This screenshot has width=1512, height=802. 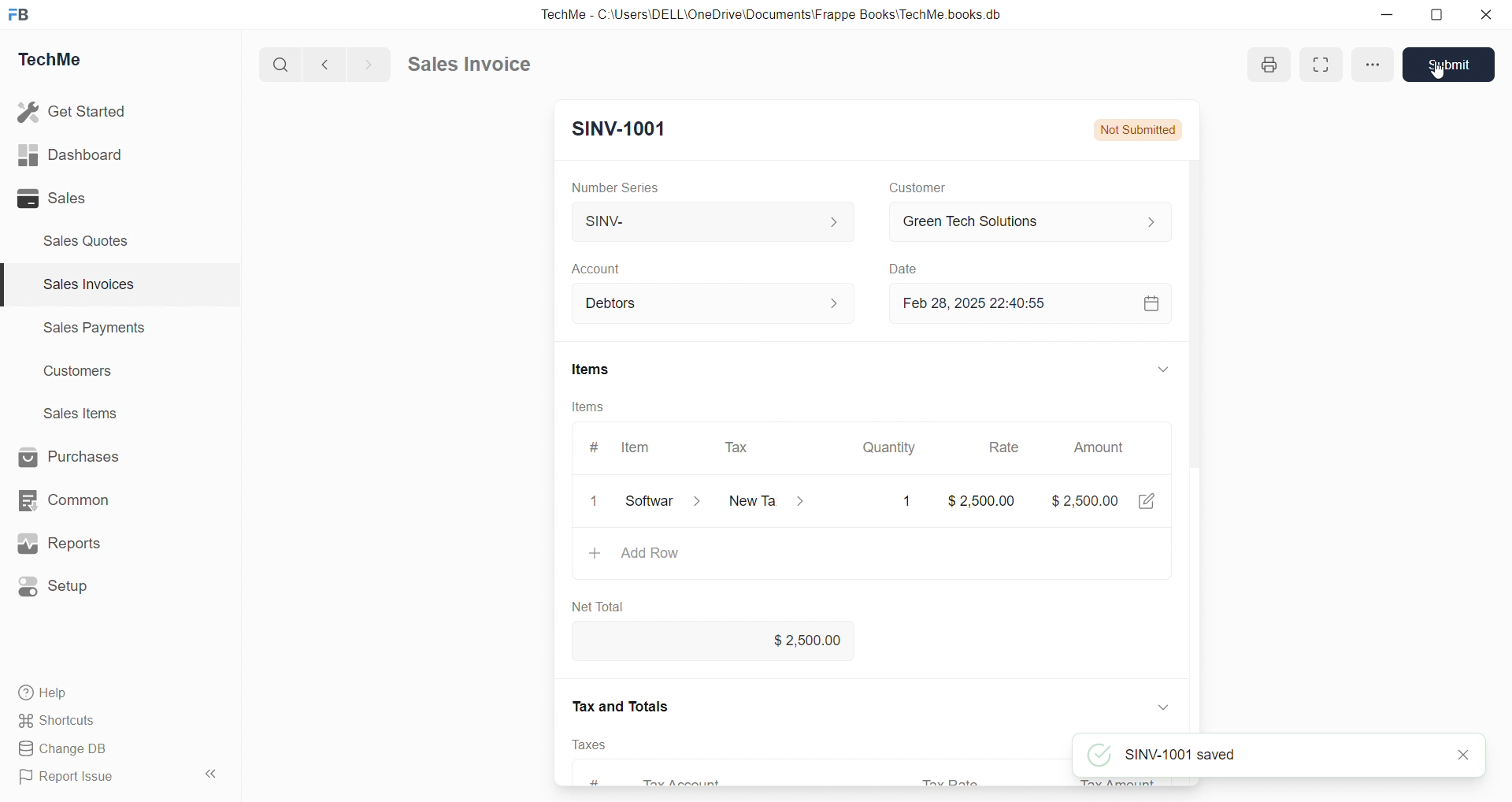 I want to click on Net Total, so click(x=595, y=607).